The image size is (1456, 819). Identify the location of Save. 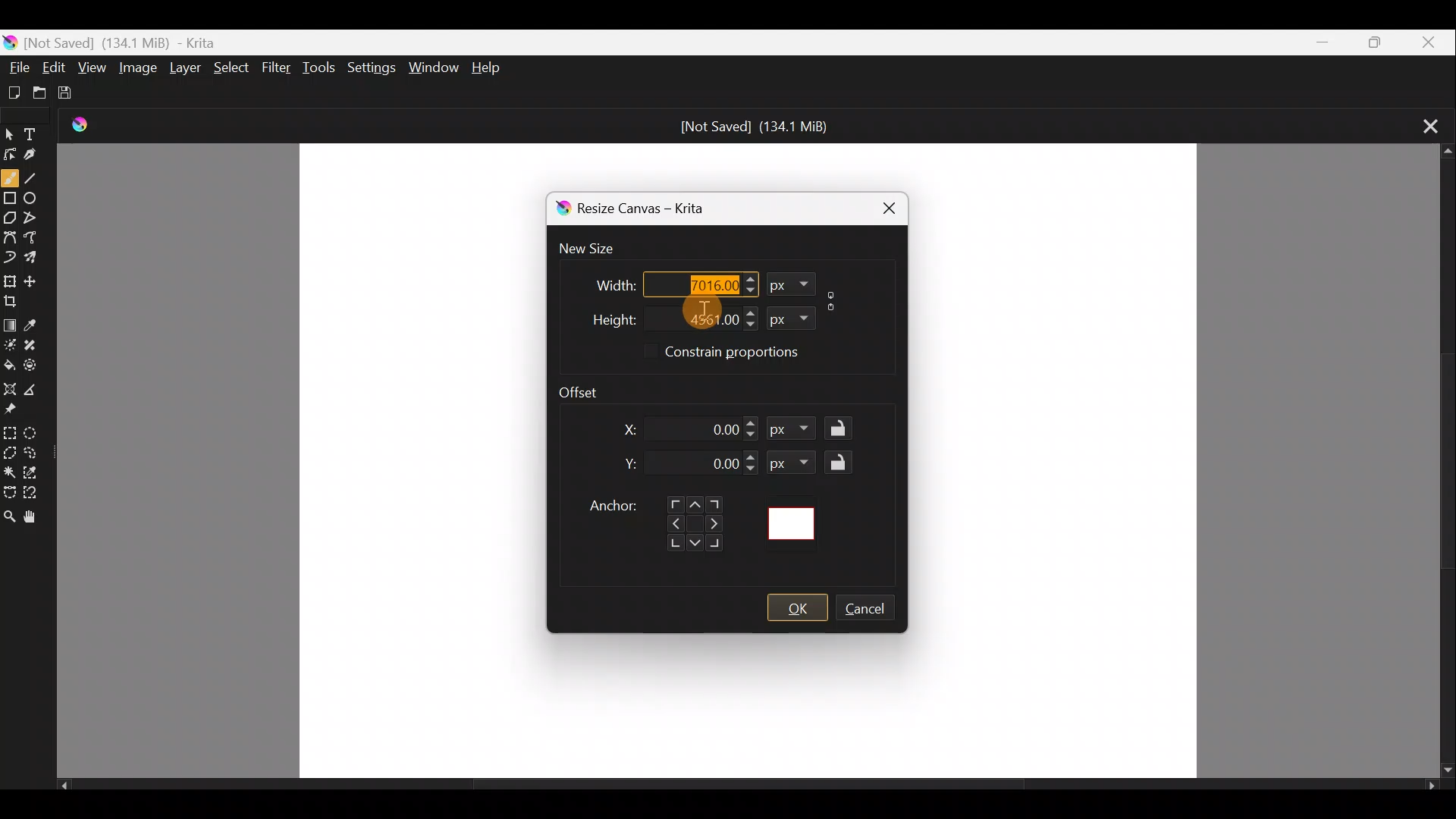
(79, 96).